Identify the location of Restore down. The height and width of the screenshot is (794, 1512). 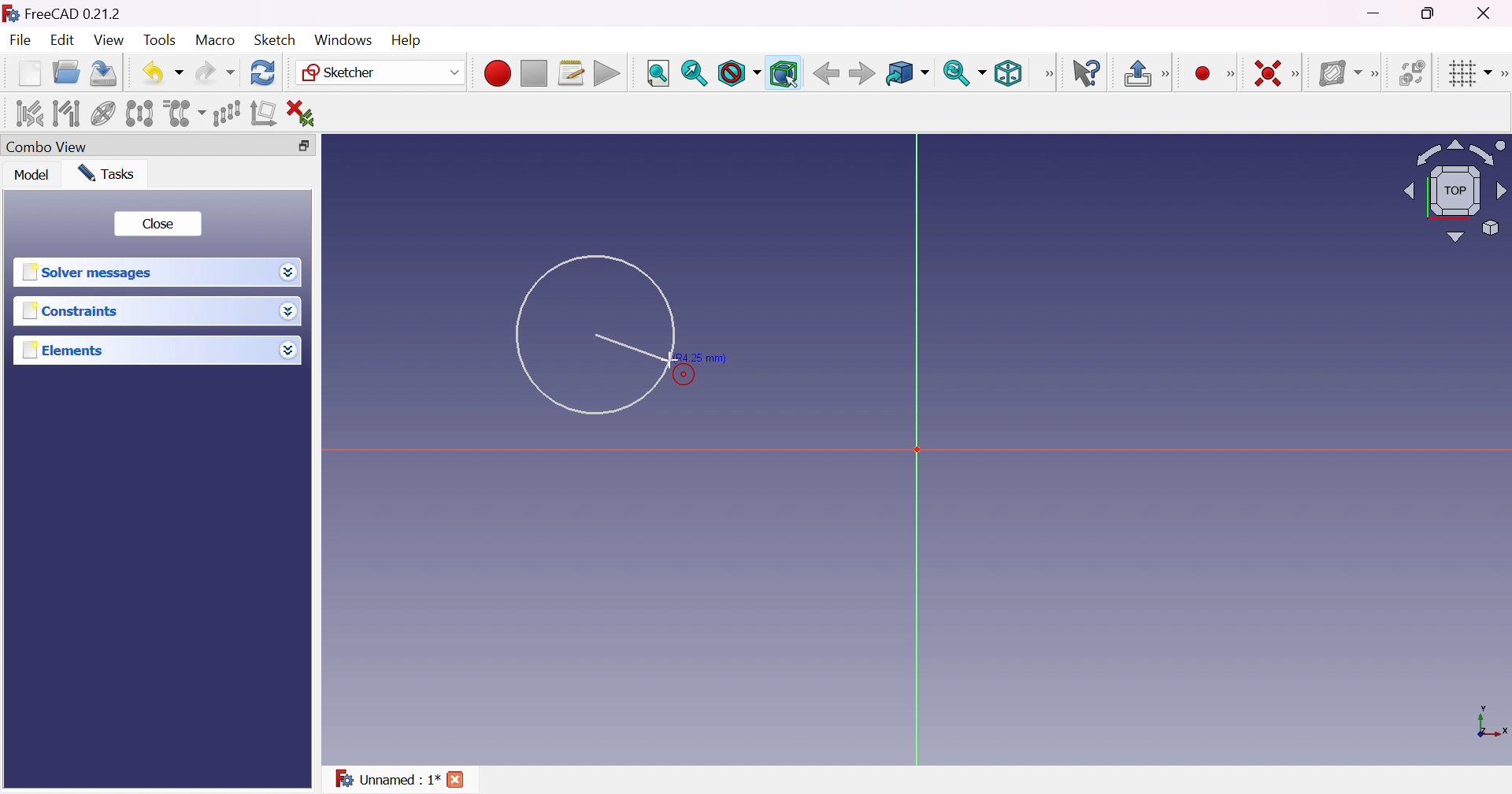
(1429, 15).